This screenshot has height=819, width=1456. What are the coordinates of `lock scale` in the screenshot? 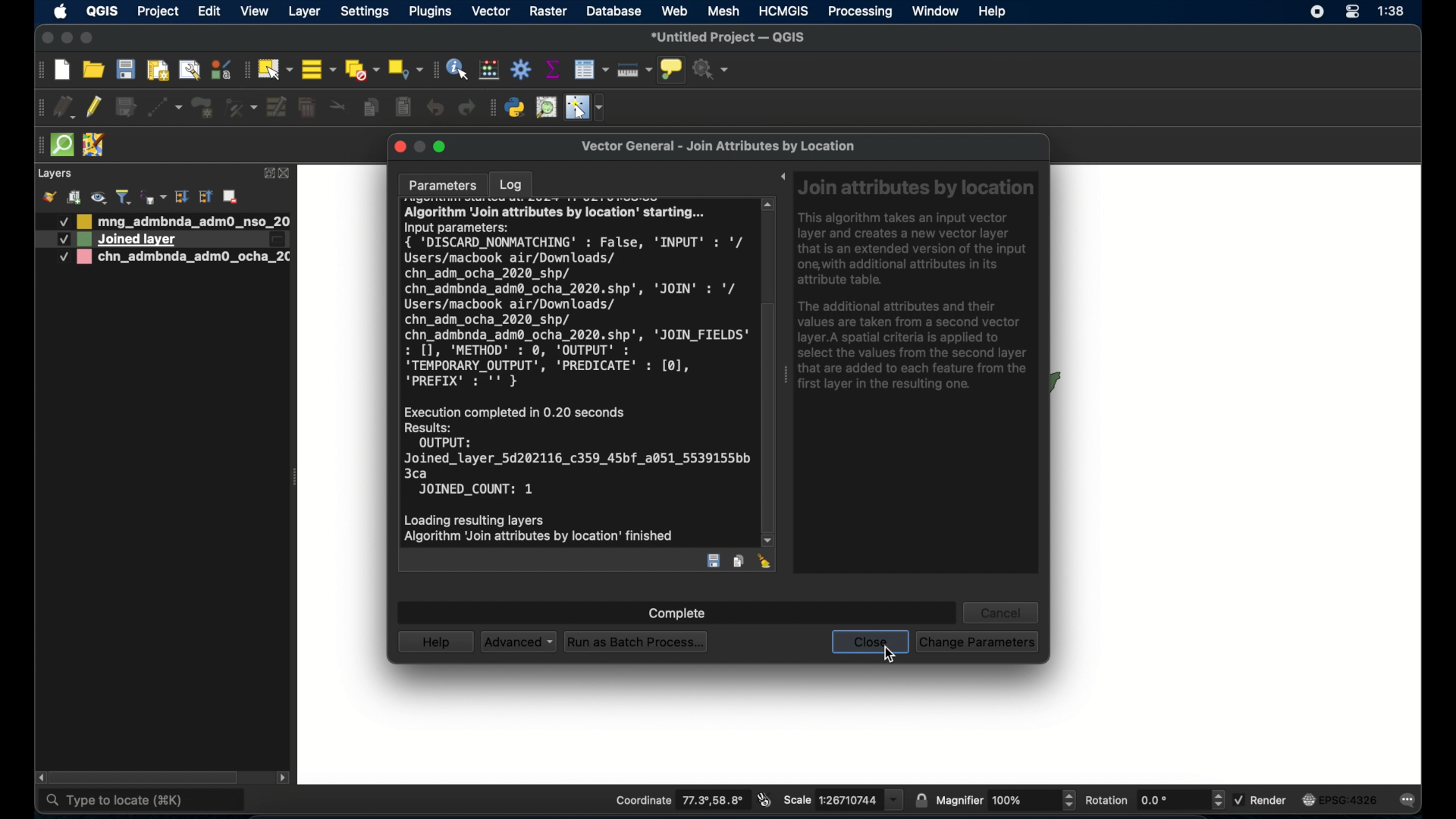 It's located at (923, 799).